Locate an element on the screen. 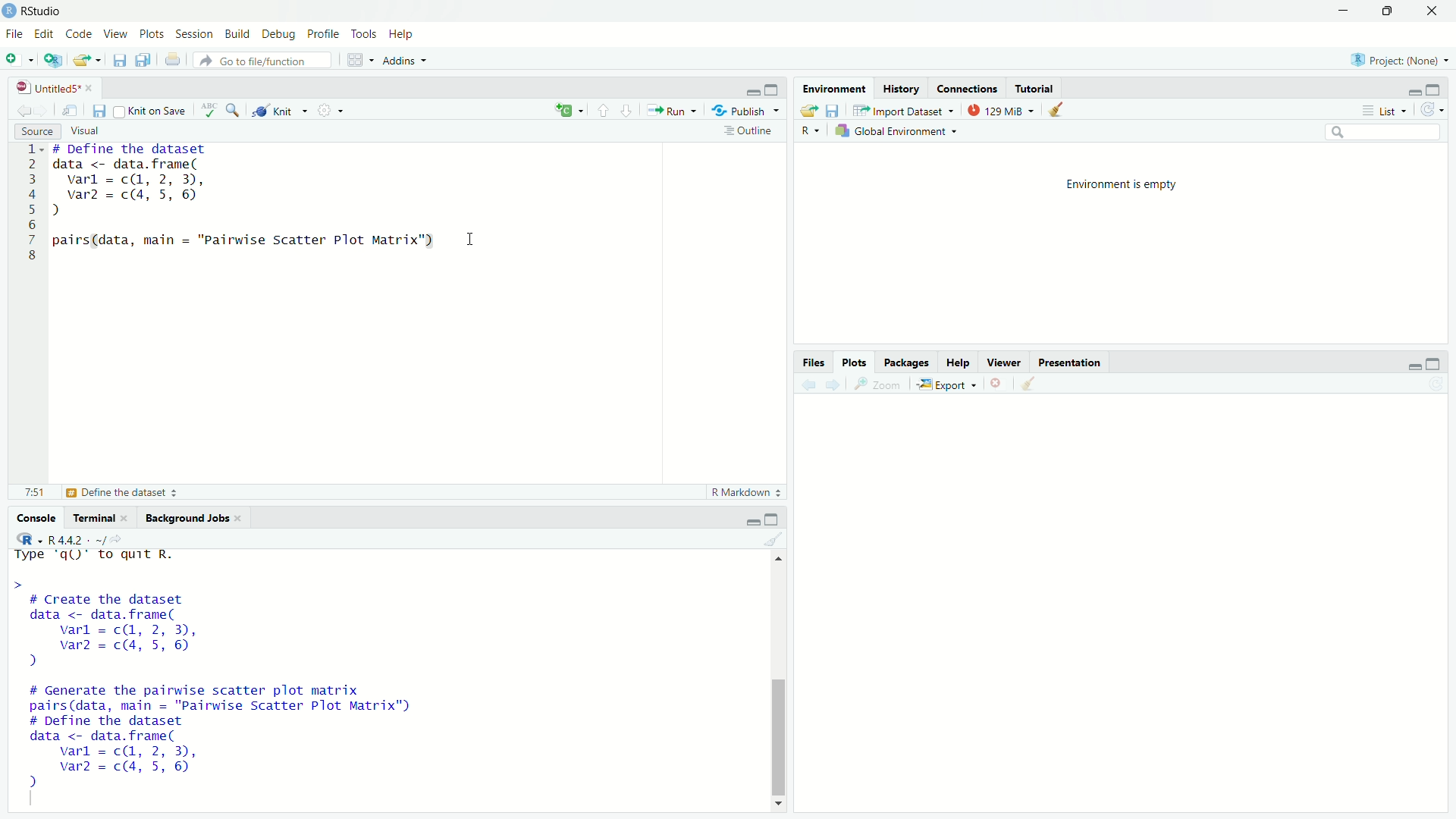 This screenshot has height=819, width=1456. Environment is empty is located at coordinates (1124, 184).